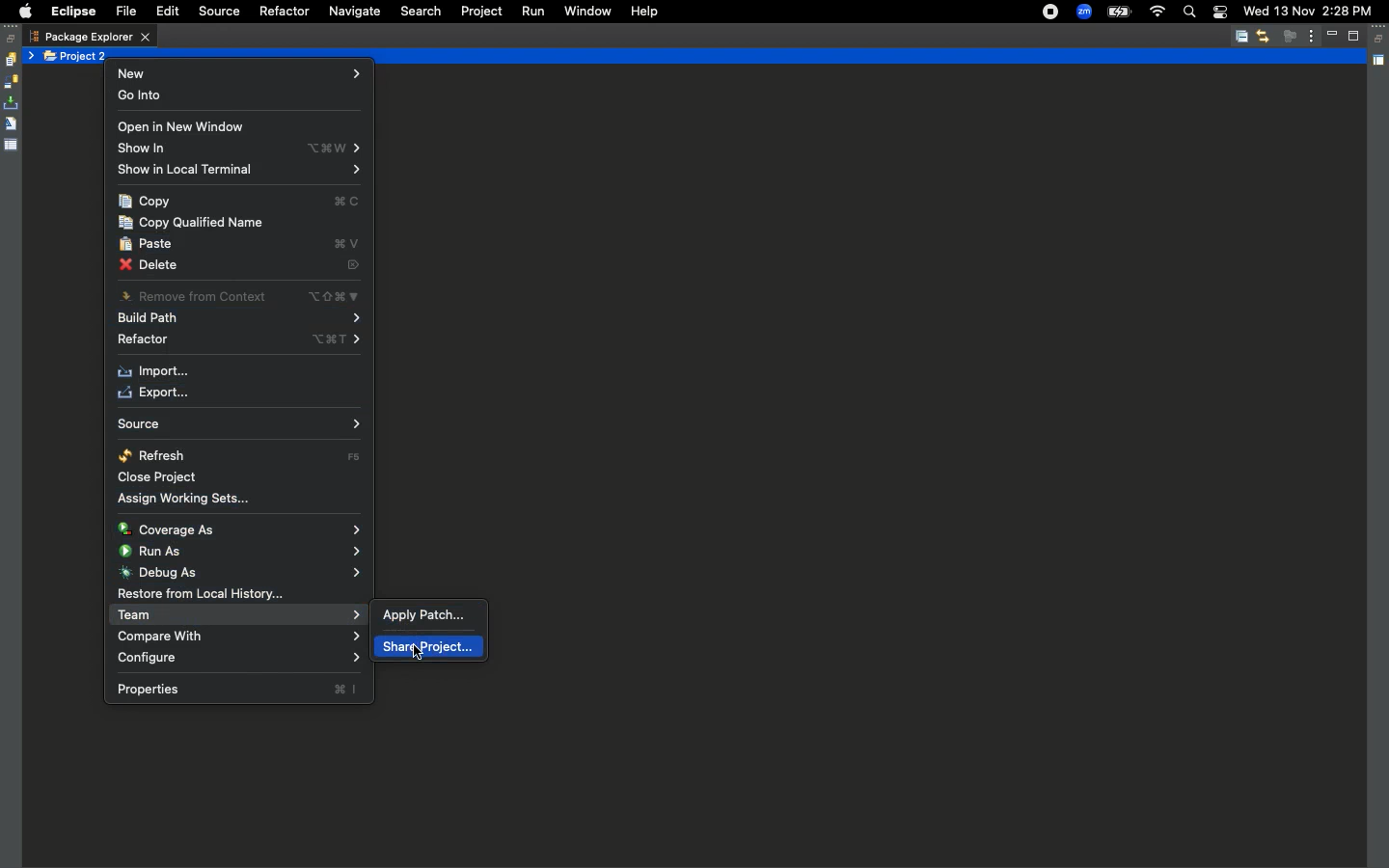 The height and width of the screenshot is (868, 1389). Describe the element at coordinates (1118, 14) in the screenshot. I see `Charge` at that location.